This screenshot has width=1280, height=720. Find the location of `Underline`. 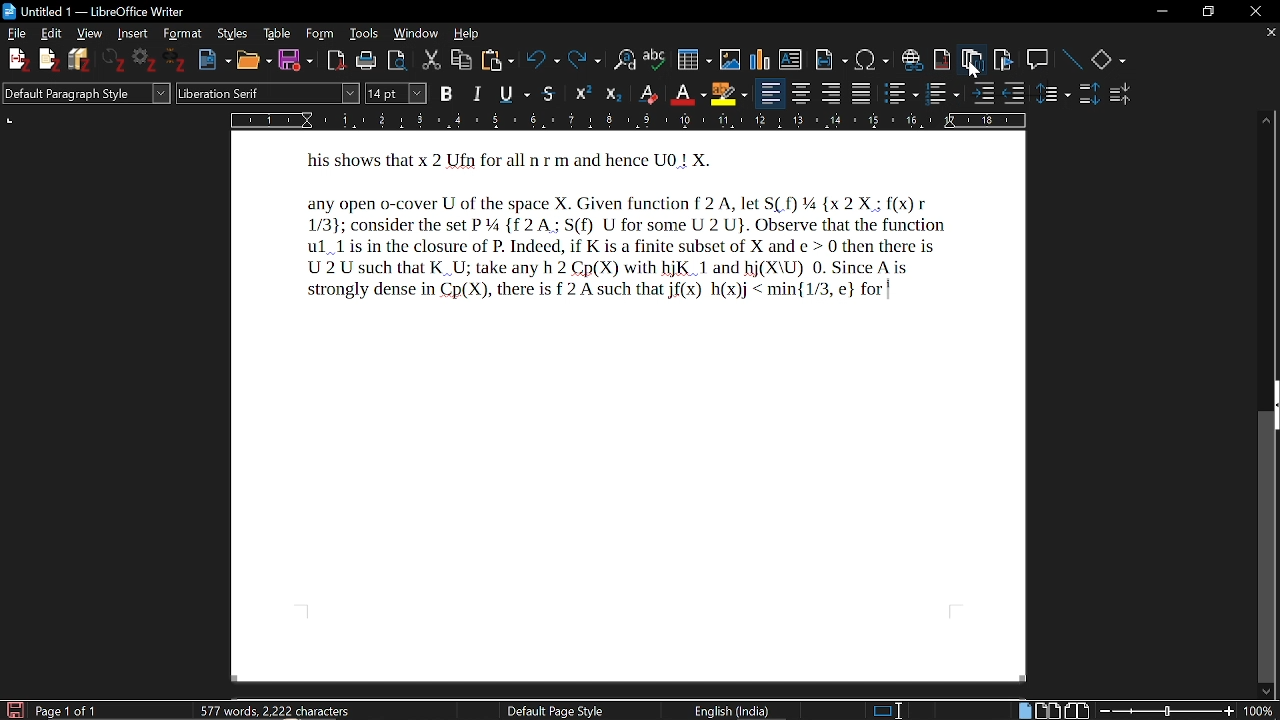

Underline is located at coordinates (689, 95).